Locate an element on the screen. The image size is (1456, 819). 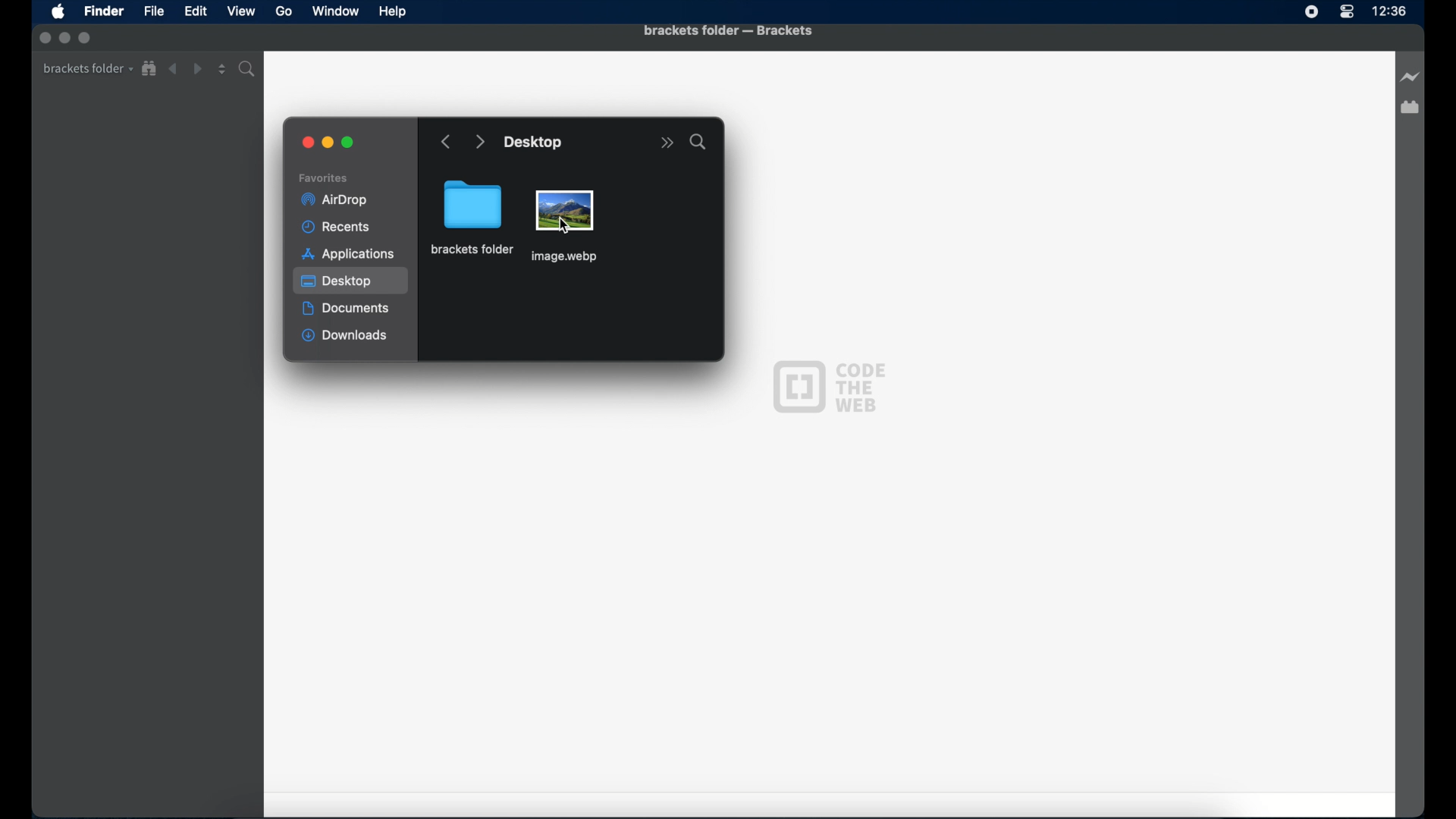
inactive close button is located at coordinates (45, 36).